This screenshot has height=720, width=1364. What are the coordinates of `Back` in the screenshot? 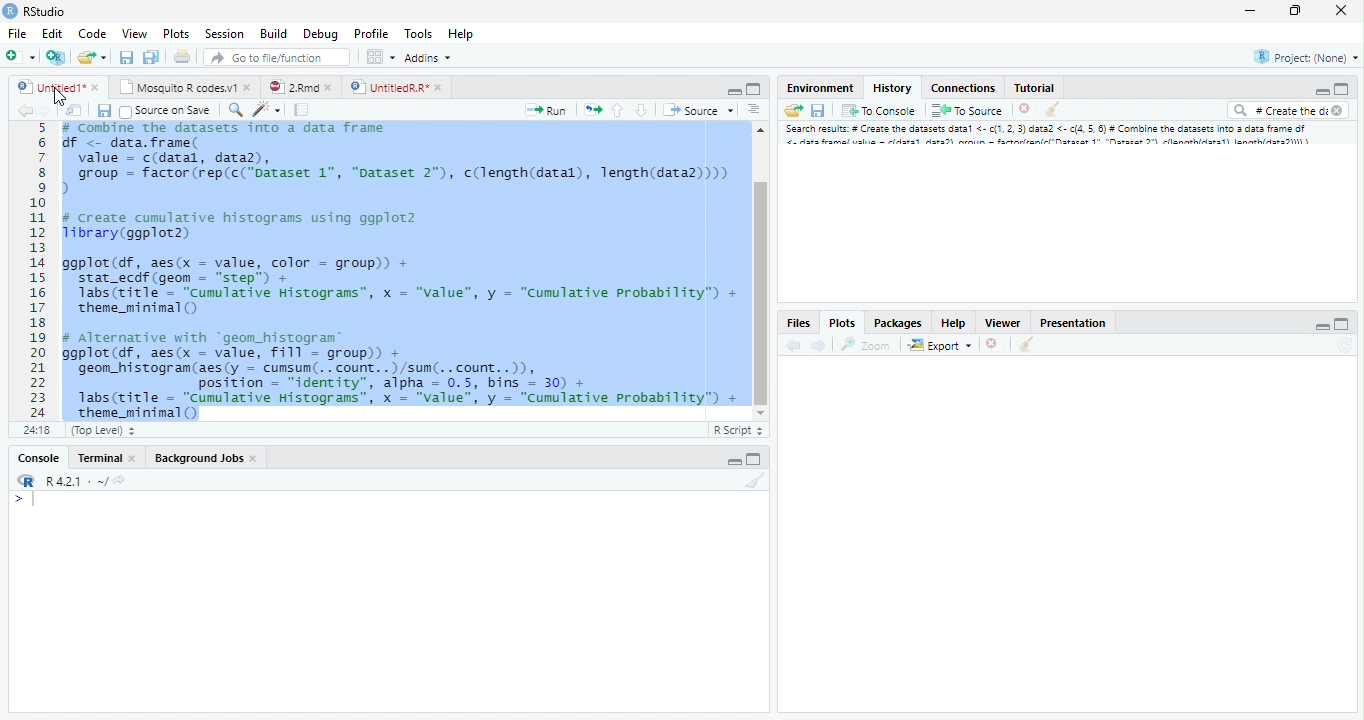 It's located at (17, 113).